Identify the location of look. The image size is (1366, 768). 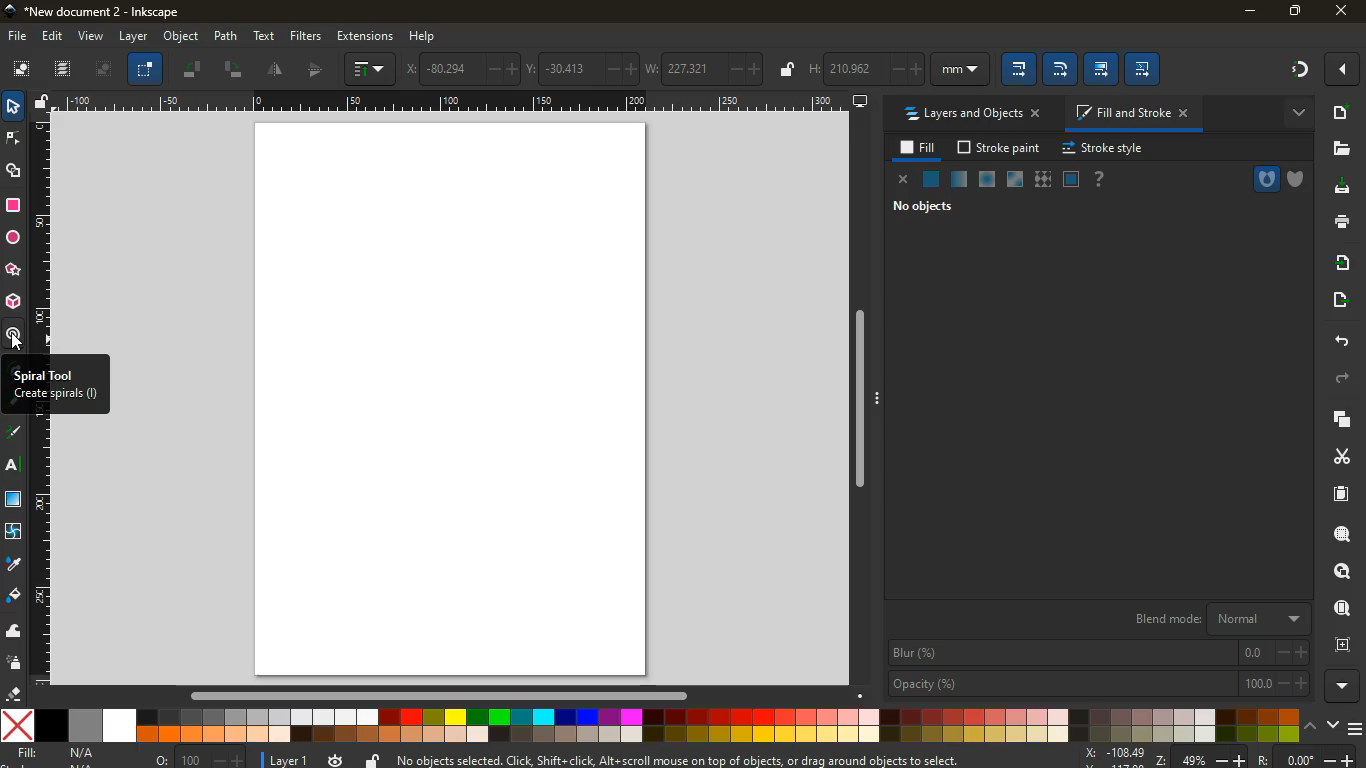
(1337, 573).